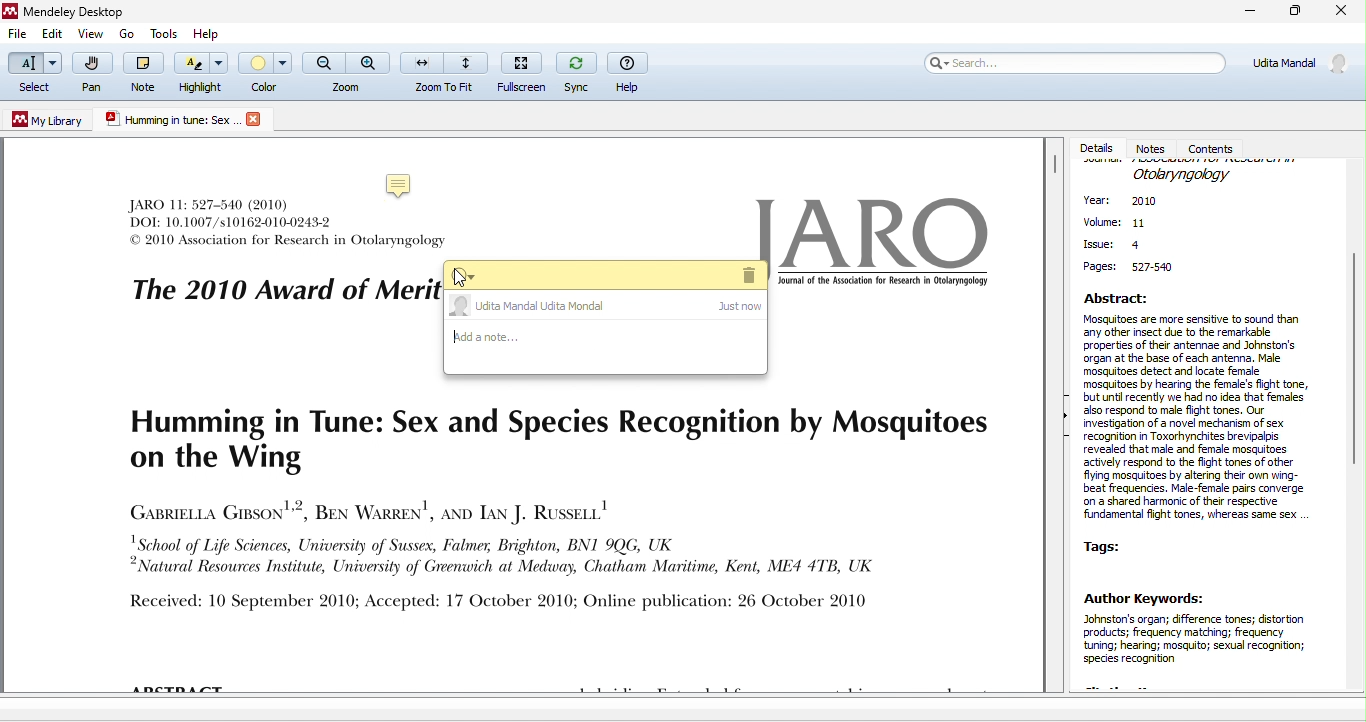 The width and height of the screenshot is (1366, 722). Describe the element at coordinates (231, 214) in the screenshot. I see `text` at that location.